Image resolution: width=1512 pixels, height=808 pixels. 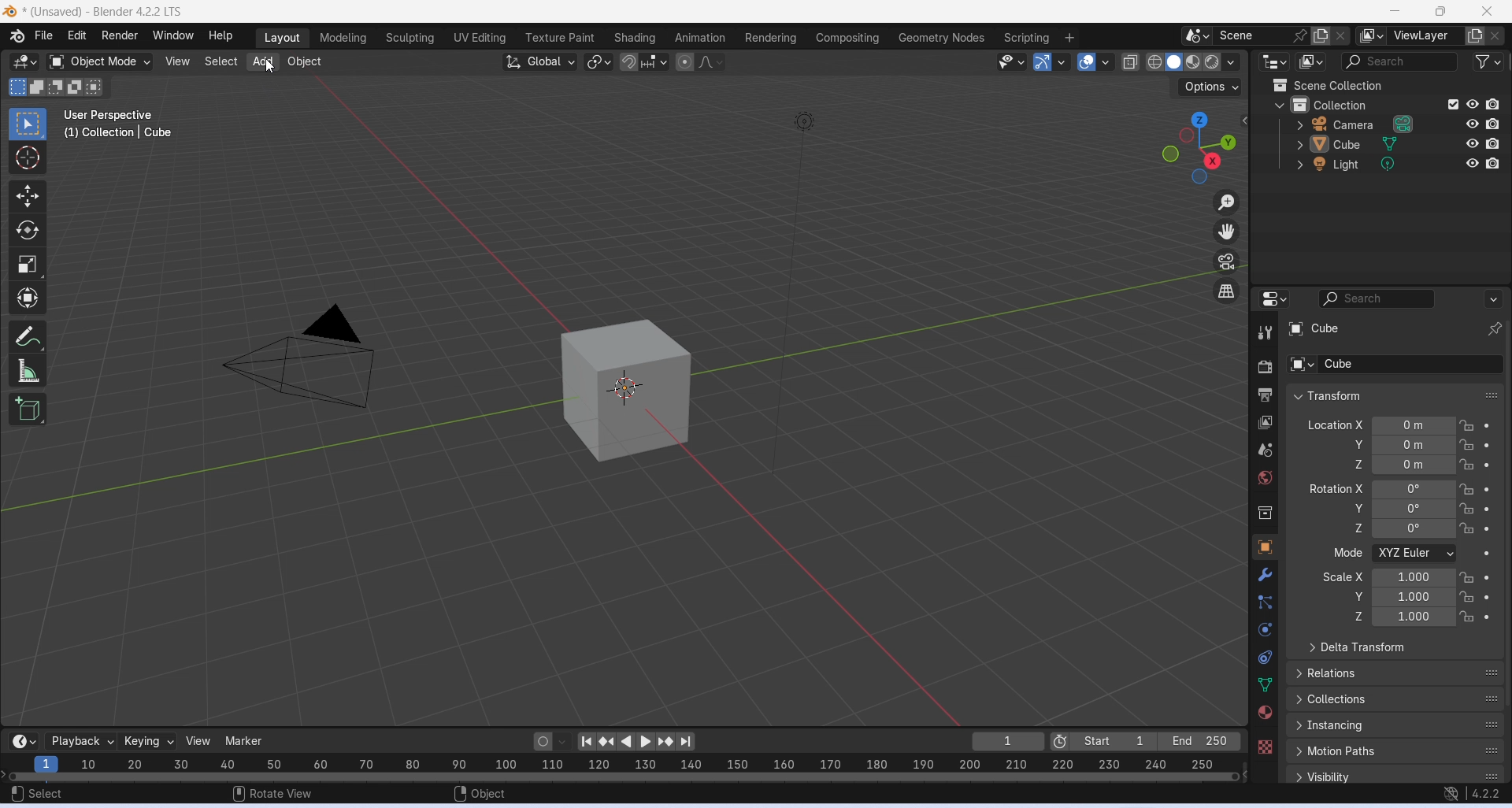 I want to click on keying, so click(x=150, y=742).